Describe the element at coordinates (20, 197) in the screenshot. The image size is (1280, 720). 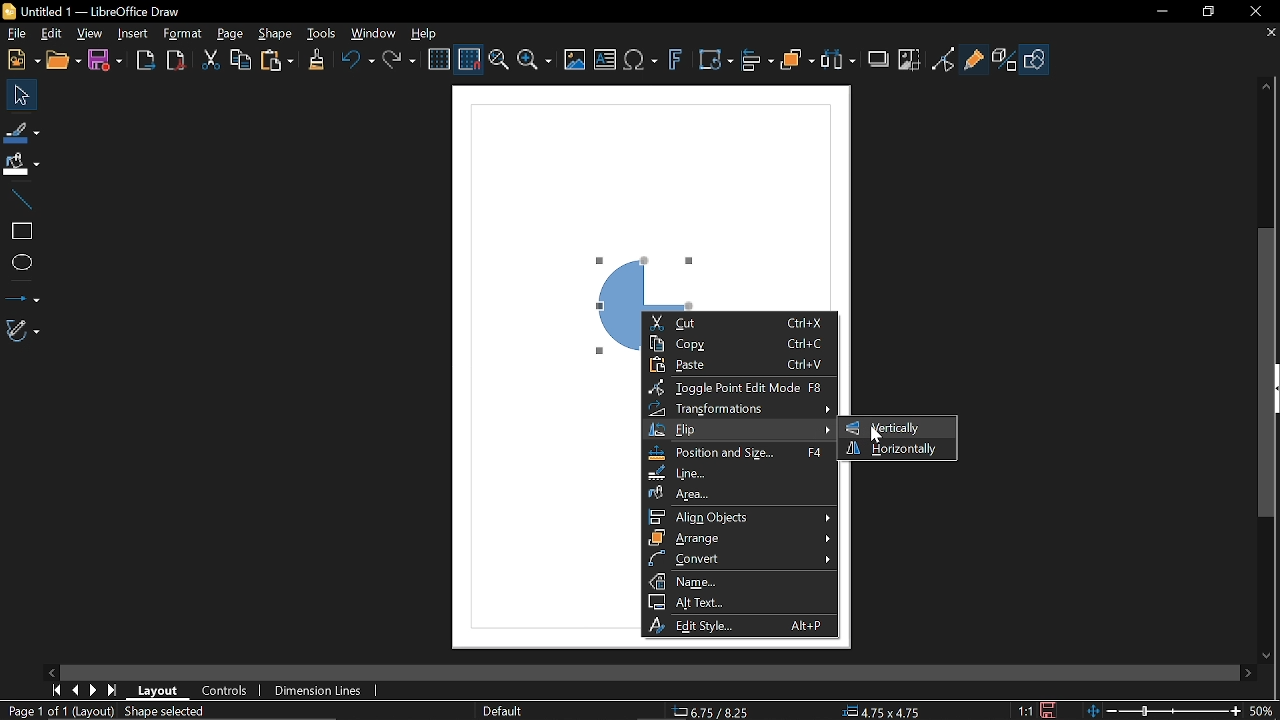
I see `Line` at that location.